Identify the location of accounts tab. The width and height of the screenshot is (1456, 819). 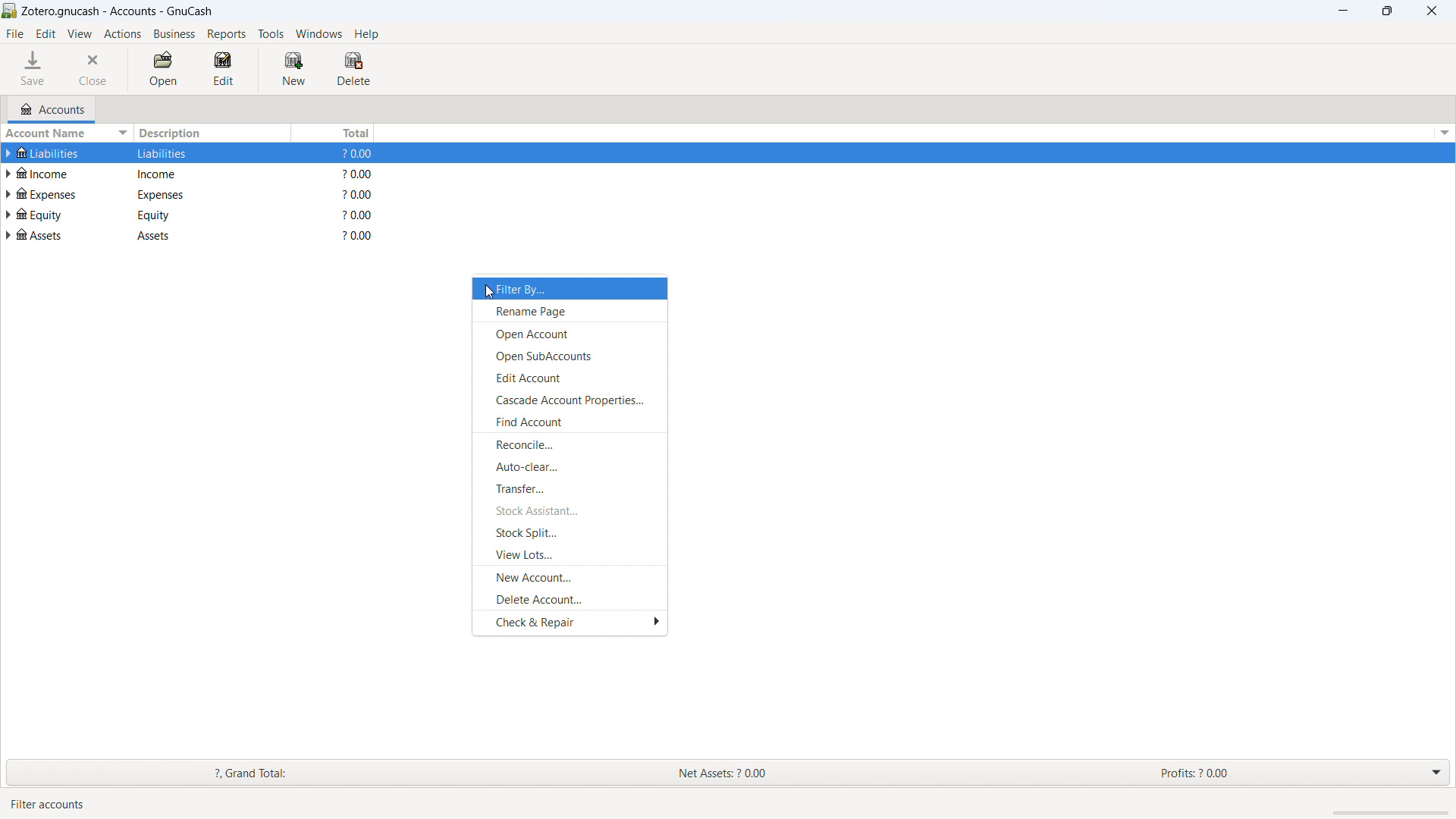
(52, 109).